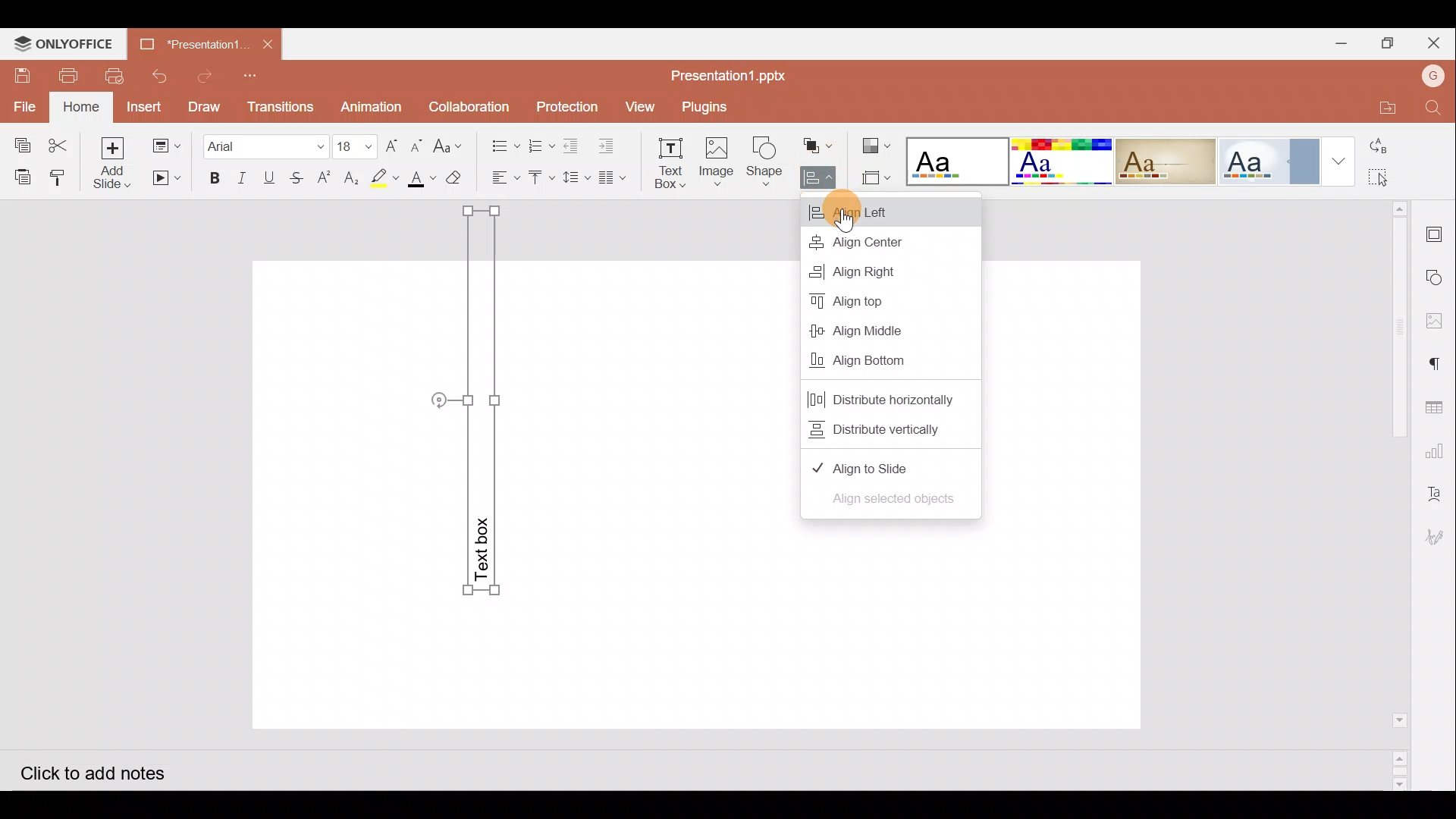 This screenshot has height=819, width=1456. Describe the element at coordinates (877, 300) in the screenshot. I see `Align top` at that location.